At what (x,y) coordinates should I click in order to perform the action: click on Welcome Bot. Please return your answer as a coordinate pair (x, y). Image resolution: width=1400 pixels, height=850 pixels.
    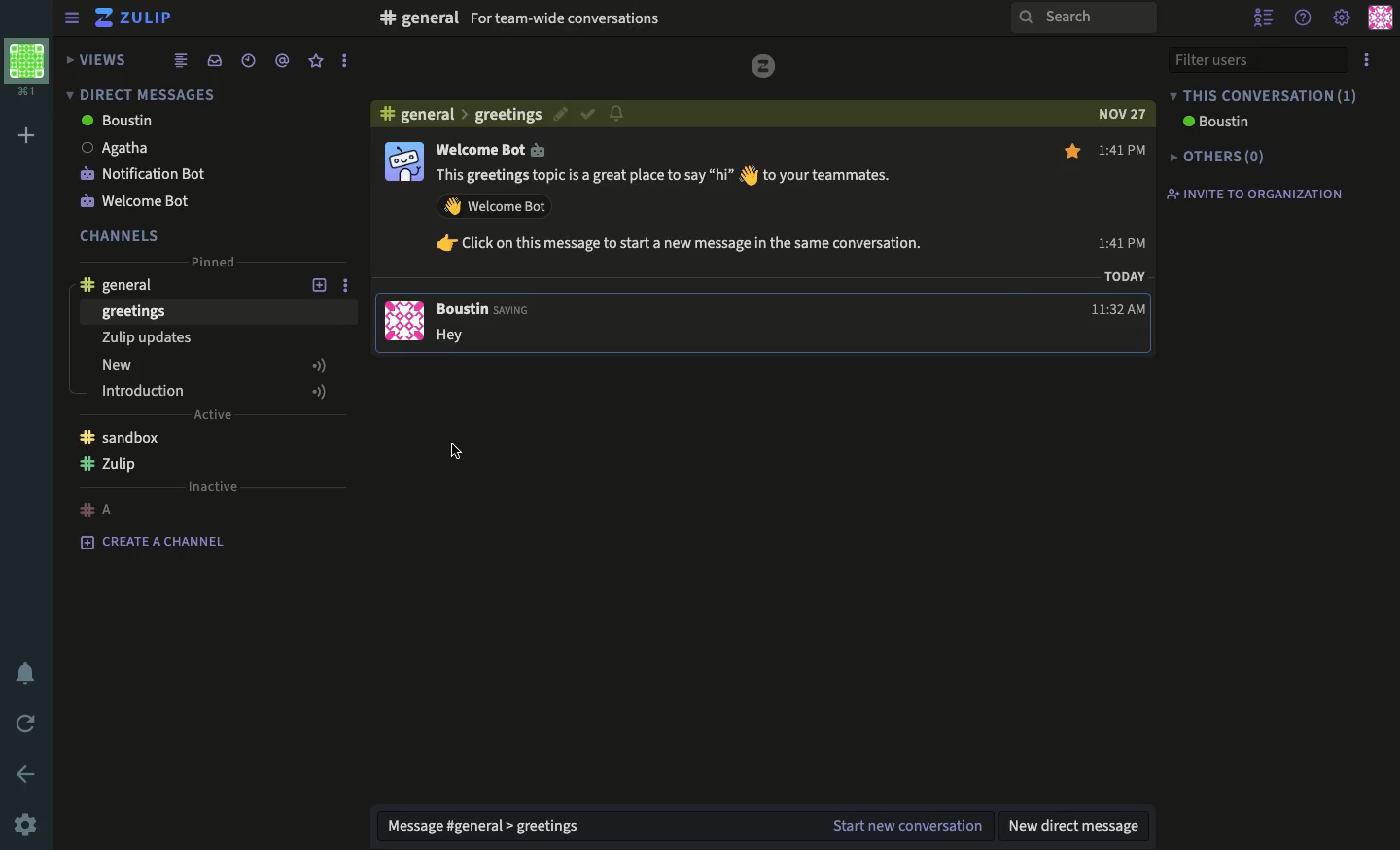
    Looking at the image, I should click on (500, 150).